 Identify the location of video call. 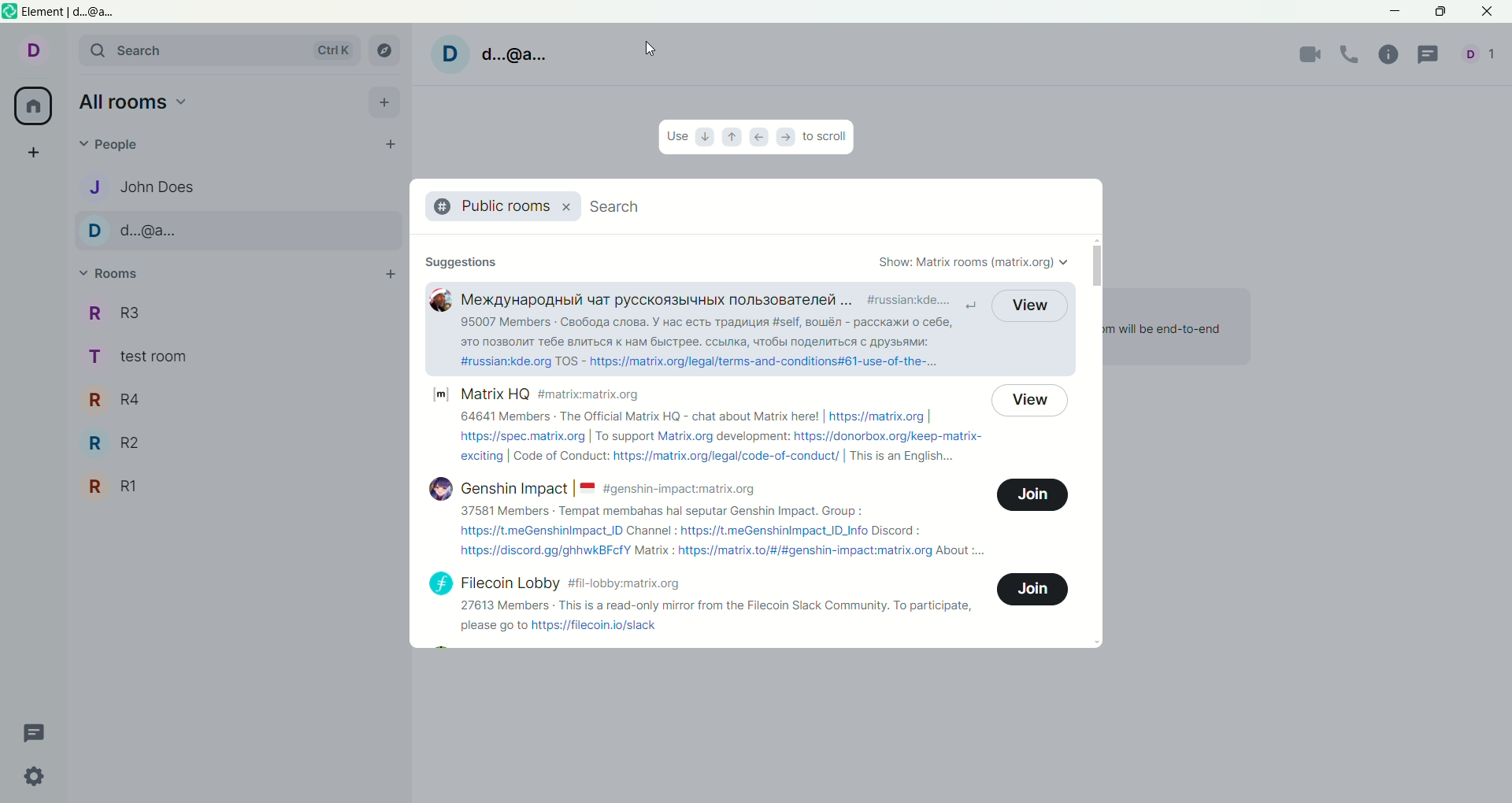
(1305, 56).